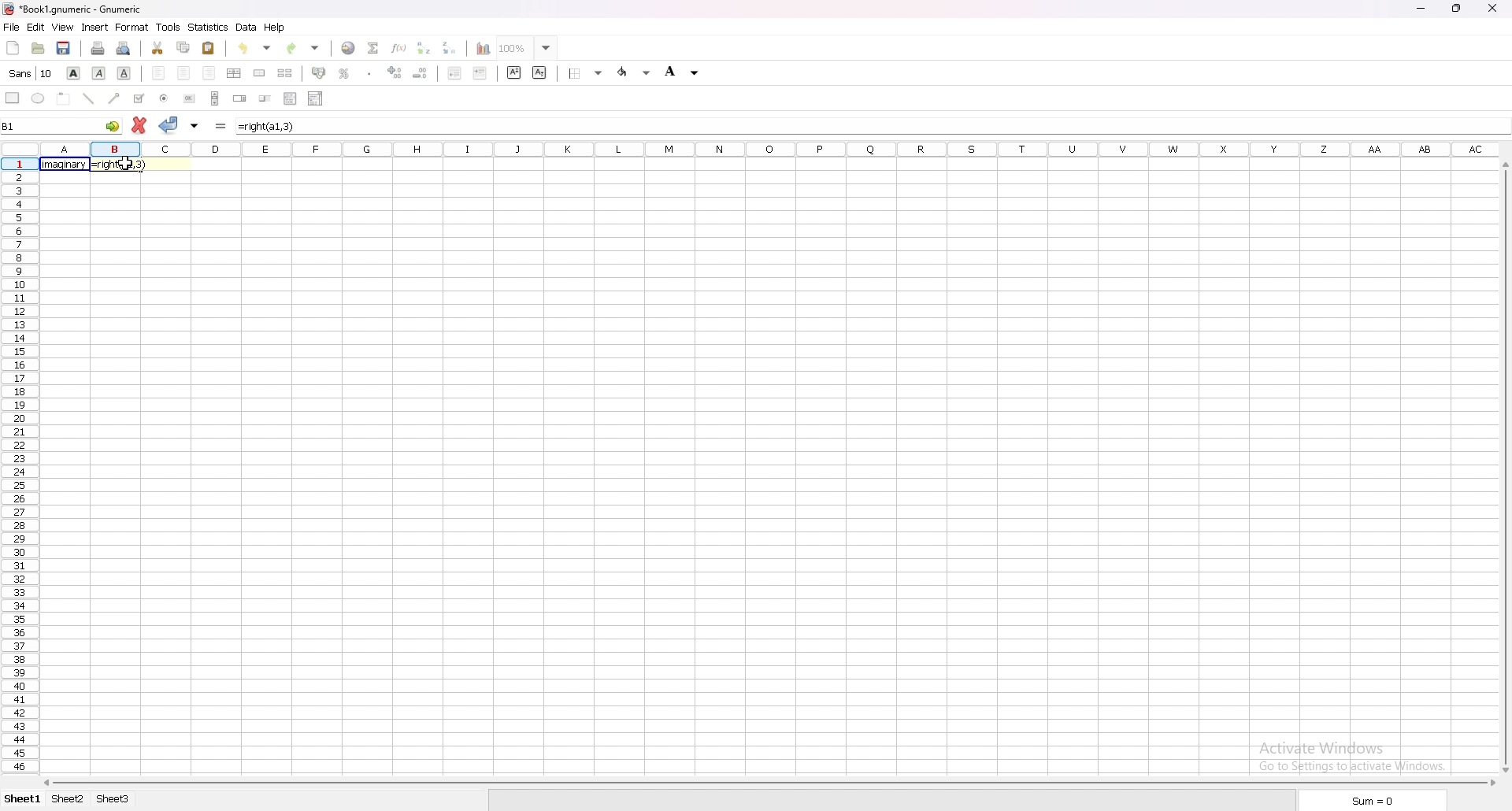  I want to click on spin button, so click(239, 98).